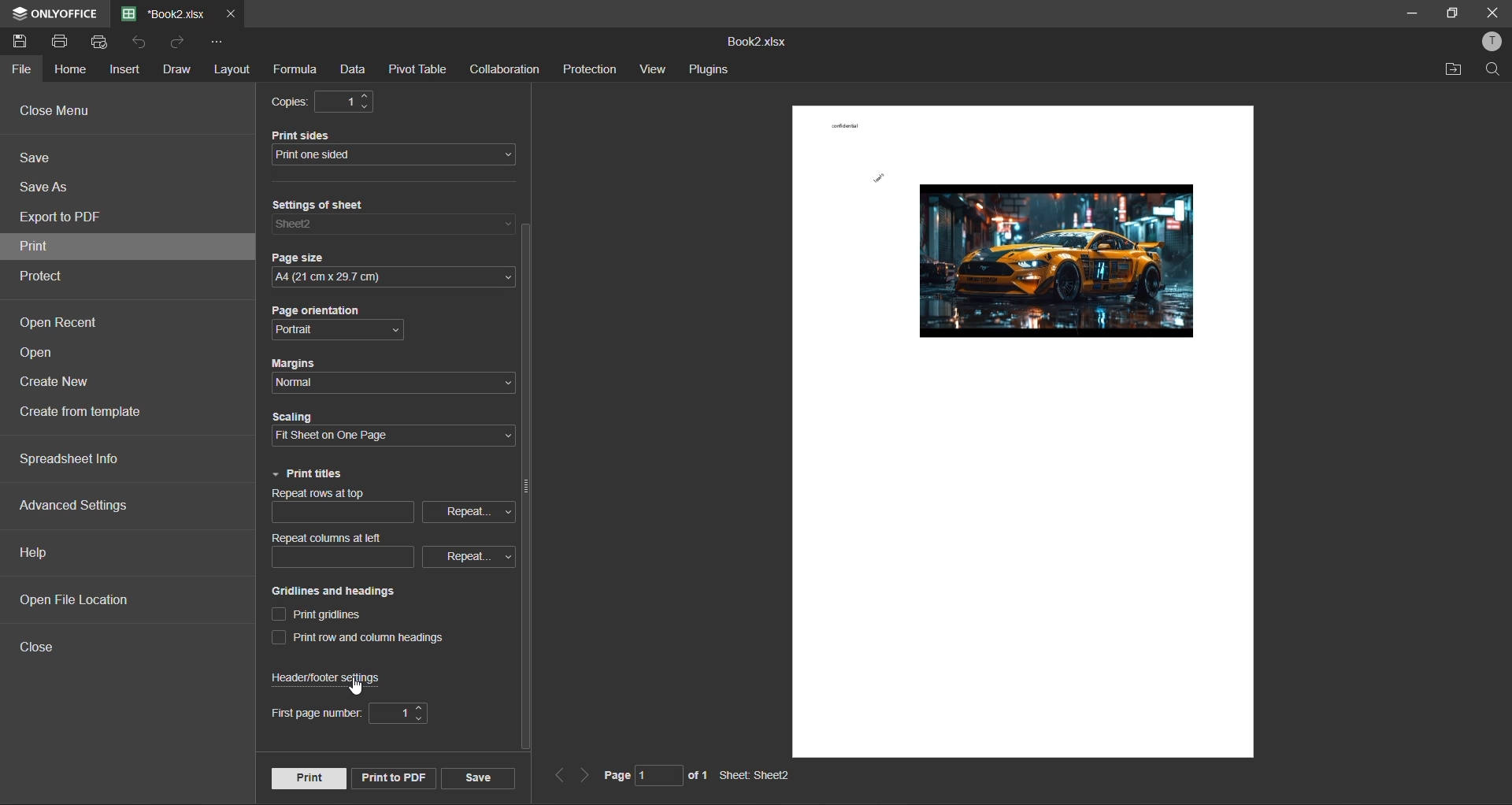  Describe the element at coordinates (508, 70) in the screenshot. I see `collaboration` at that location.